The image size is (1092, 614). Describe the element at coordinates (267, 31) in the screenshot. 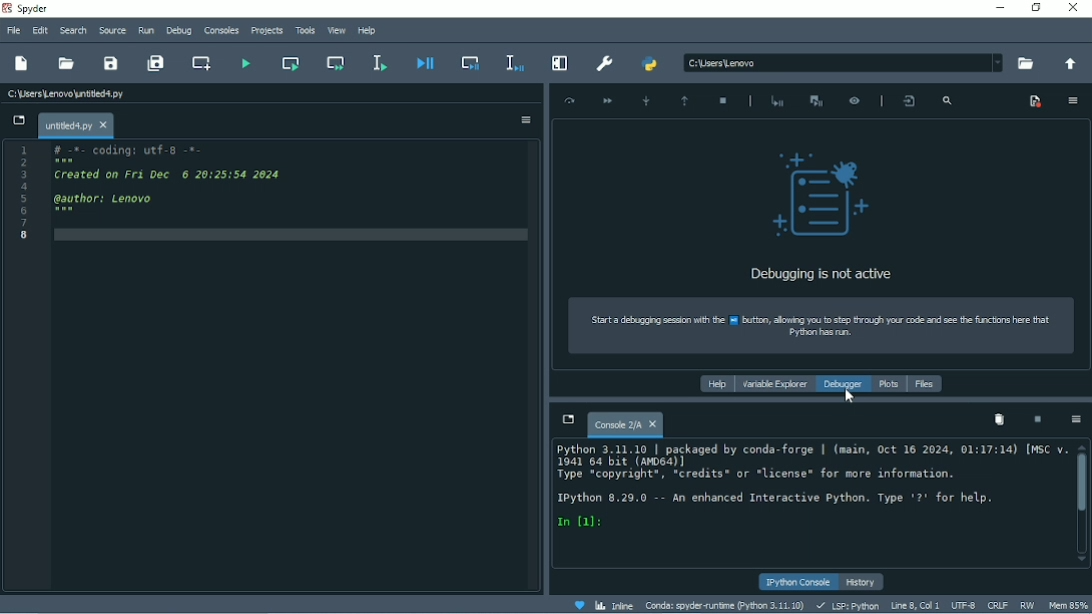

I see `Projects` at that location.